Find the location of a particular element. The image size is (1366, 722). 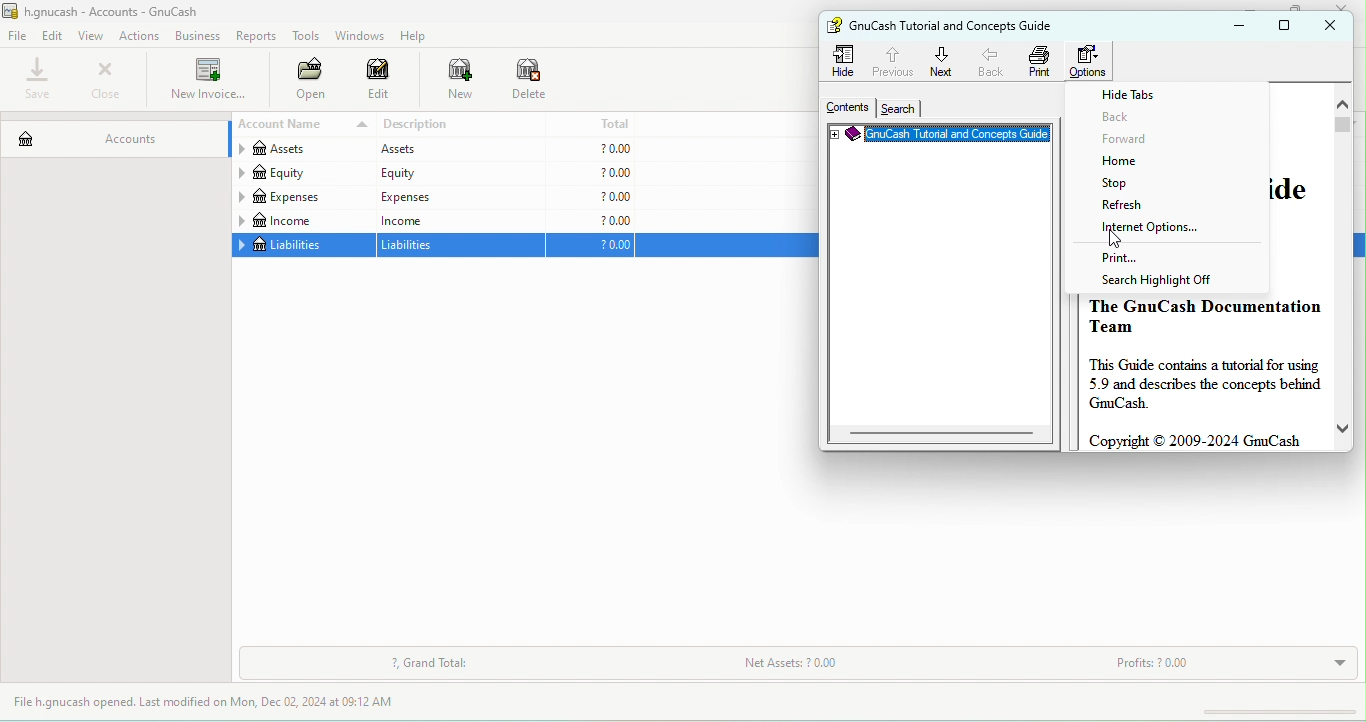

home is located at coordinates (1147, 163).